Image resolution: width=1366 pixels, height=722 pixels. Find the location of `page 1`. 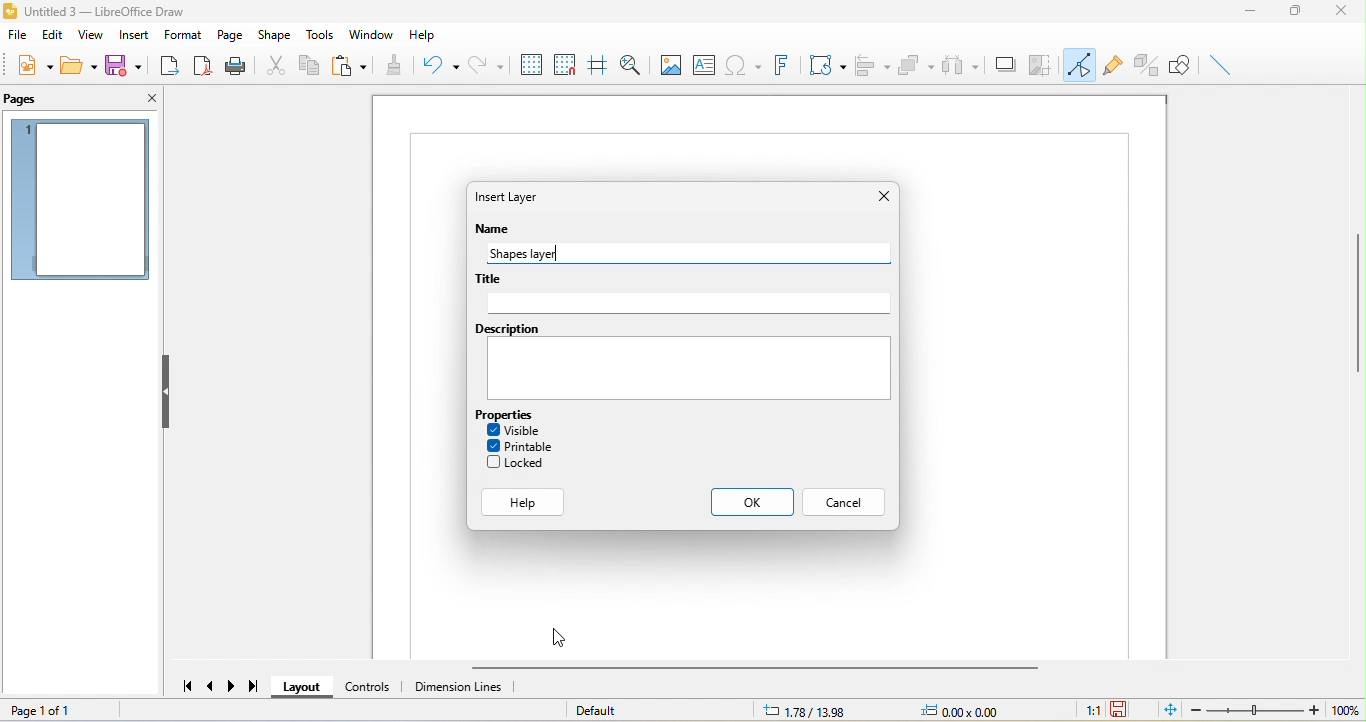

page 1 is located at coordinates (85, 201).